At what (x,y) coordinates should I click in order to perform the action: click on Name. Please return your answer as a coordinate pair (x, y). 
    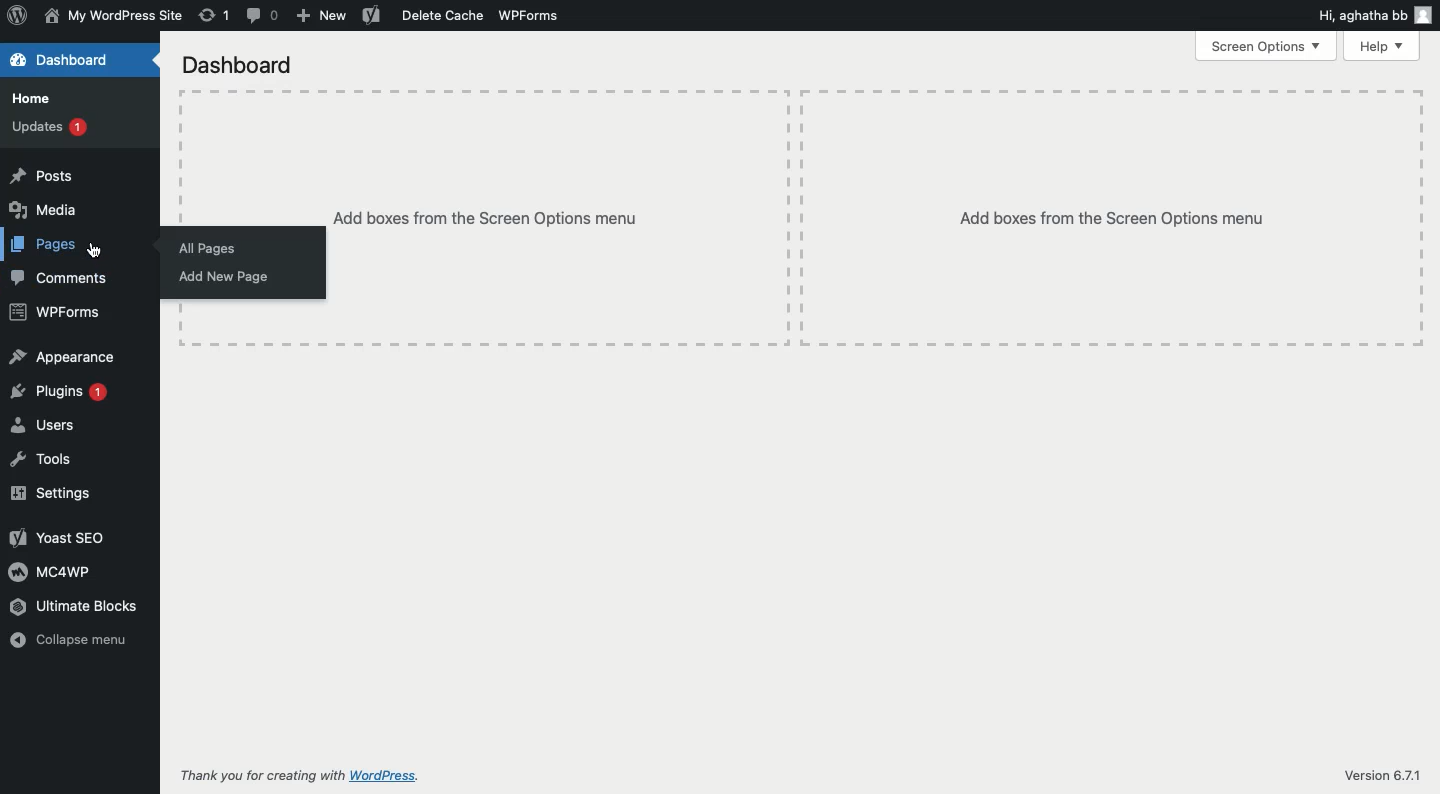
    Looking at the image, I should click on (113, 17).